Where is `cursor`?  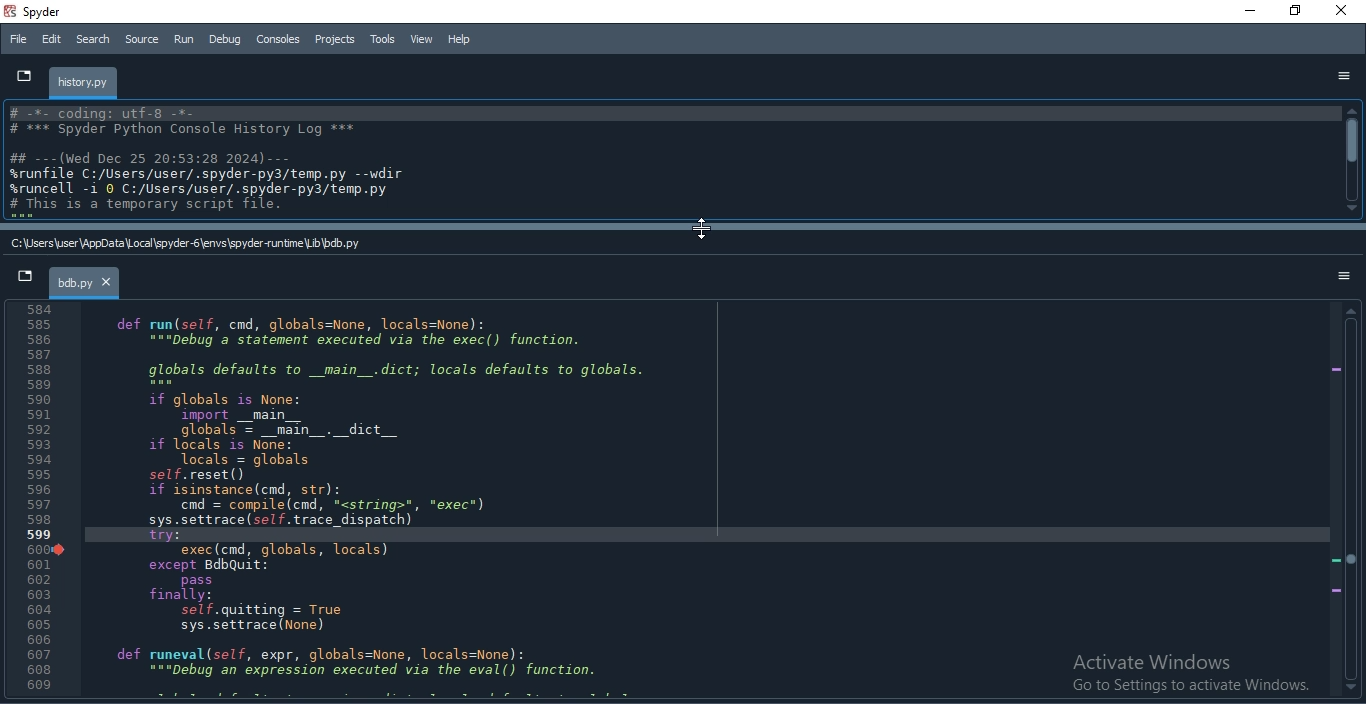
cursor is located at coordinates (704, 228).